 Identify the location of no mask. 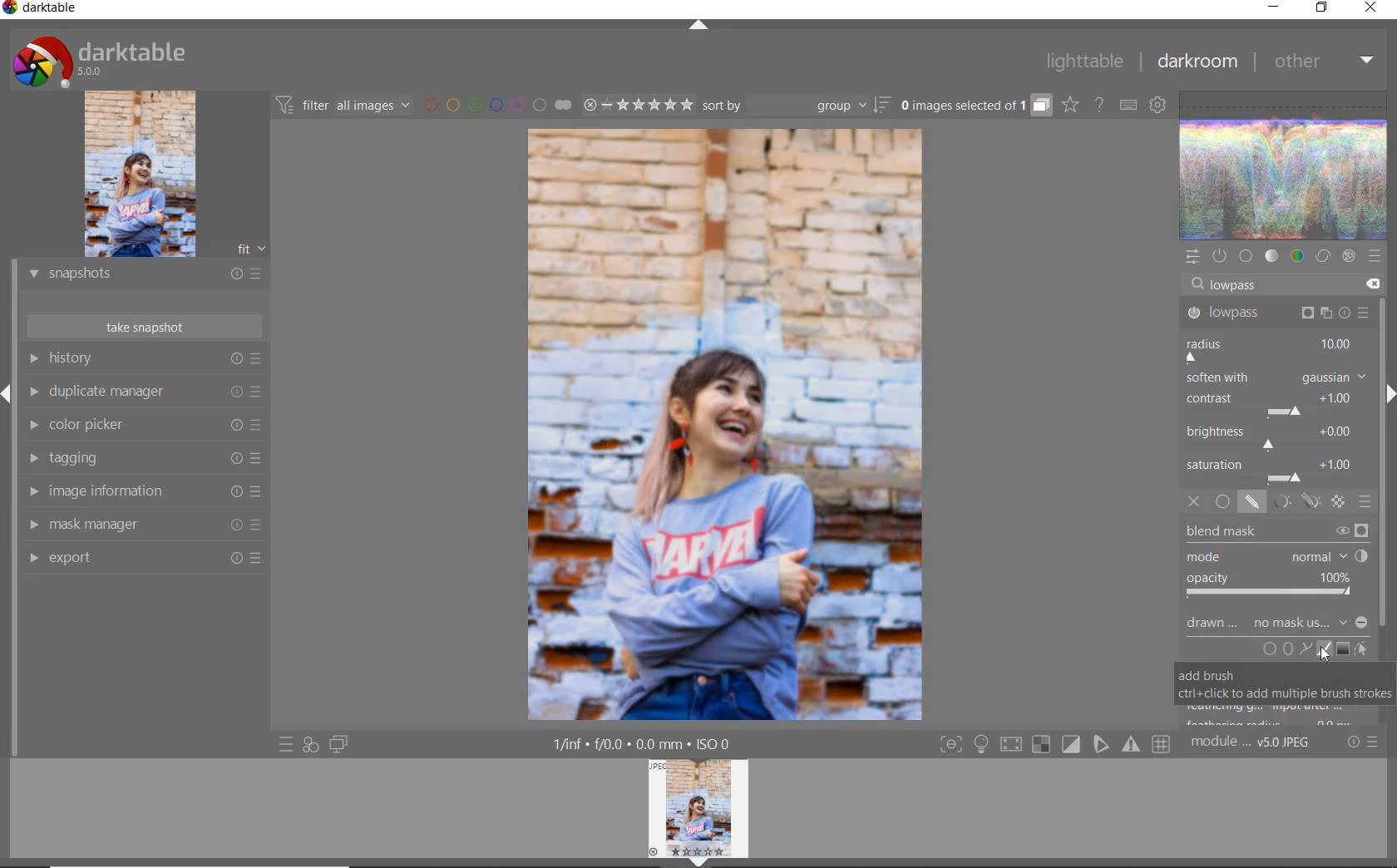
(1310, 624).